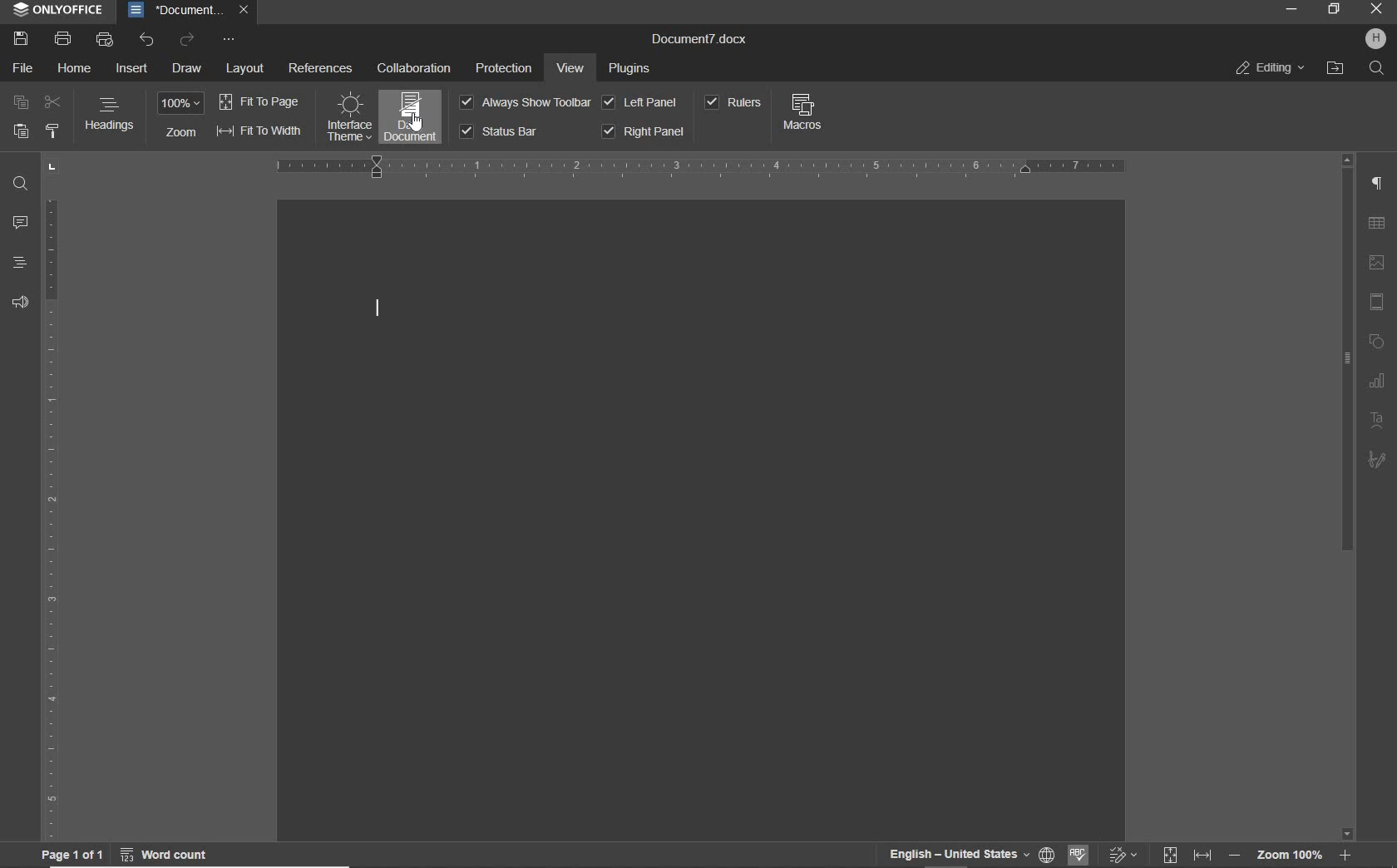 The width and height of the screenshot is (1397, 868). Describe the element at coordinates (957, 854) in the screenshot. I see `TEXT LANGUAGE` at that location.